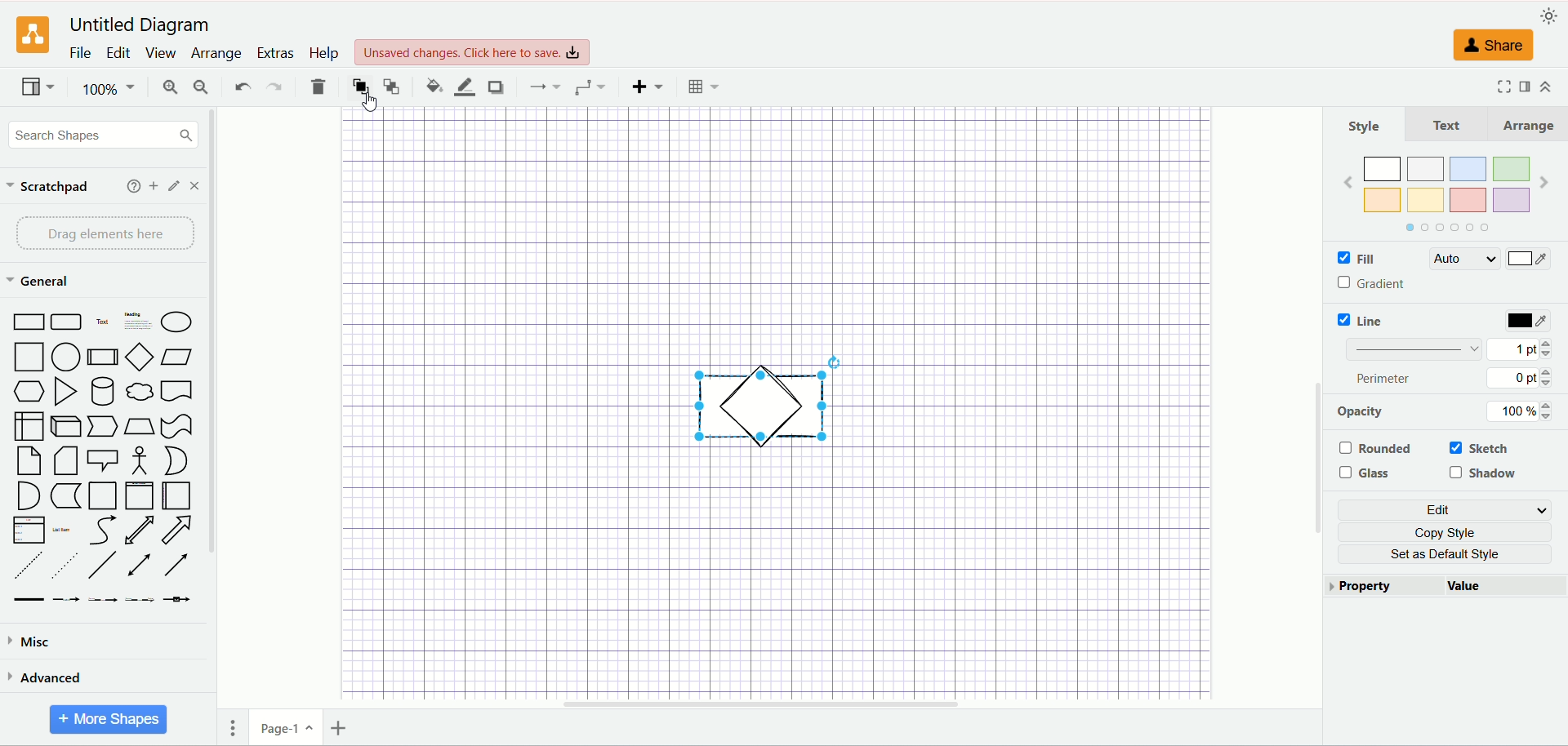  I want to click on shadow, so click(497, 87).